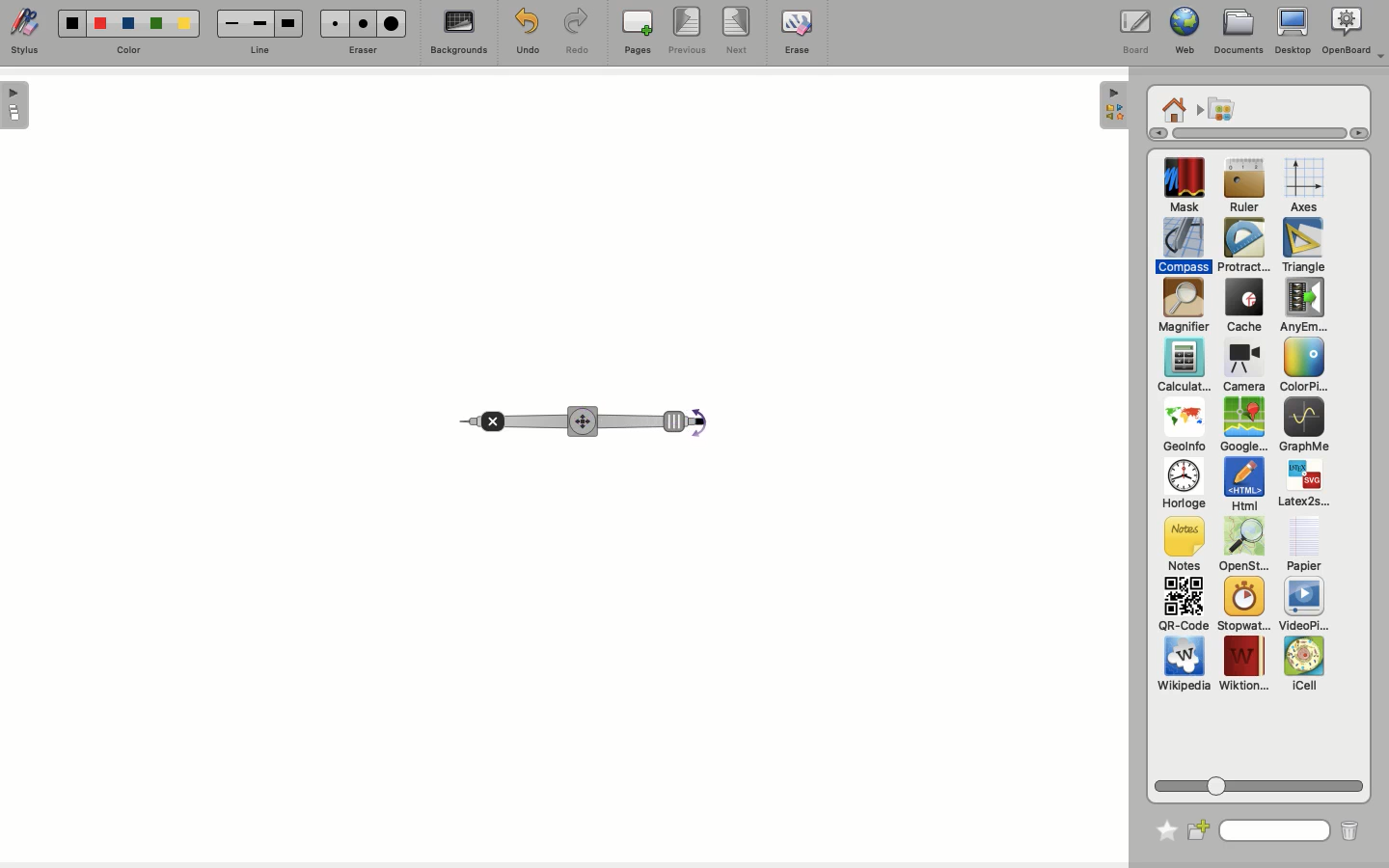 Image resolution: width=1389 pixels, height=868 pixels. What do you see at coordinates (1244, 665) in the screenshot?
I see `Wiktion` at bounding box center [1244, 665].